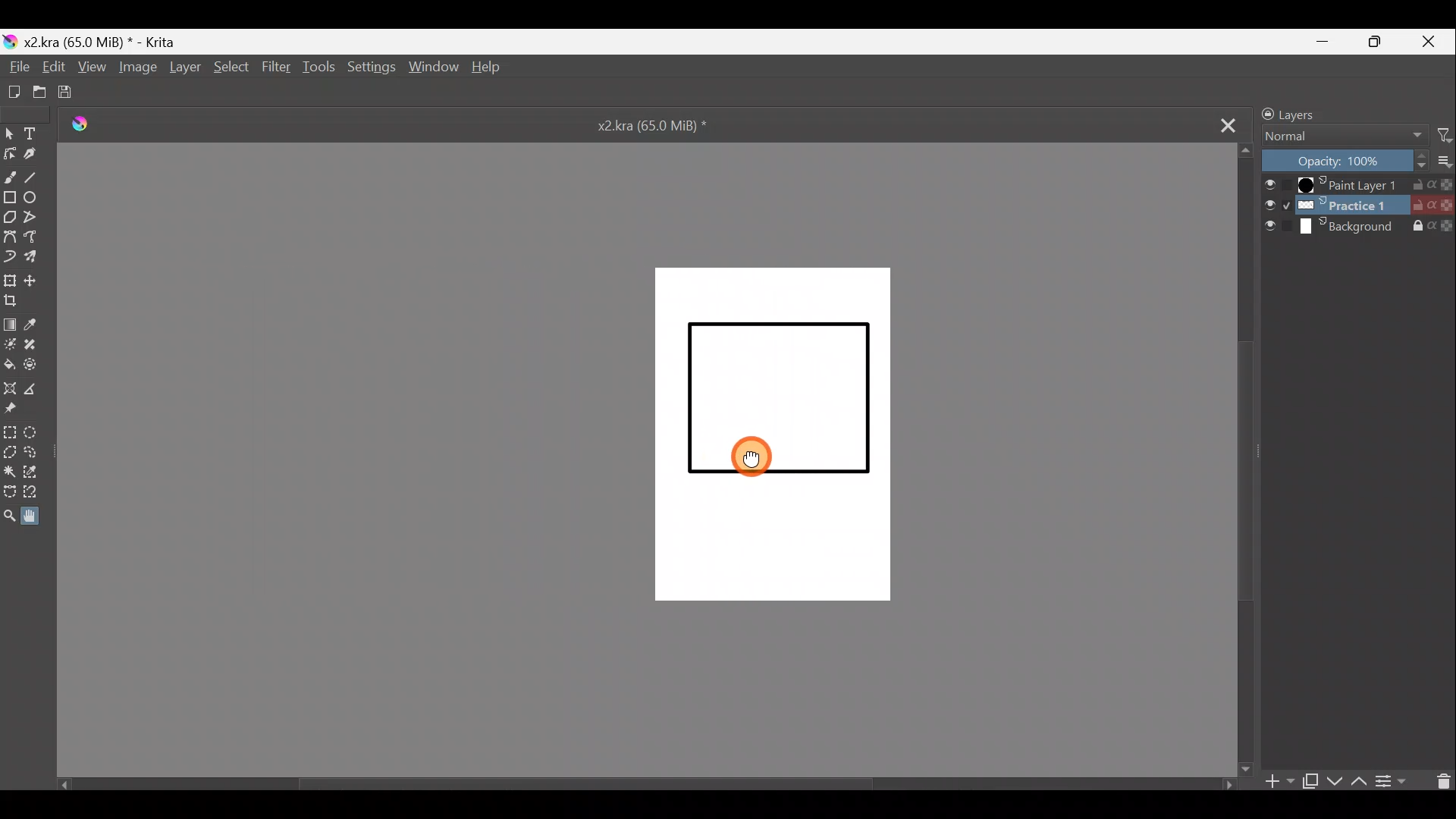 This screenshot has width=1456, height=819. What do you see at coordinates (36, 257) in the screenshot?
I see `Multibrush tool` at bounding box center [36, 257].